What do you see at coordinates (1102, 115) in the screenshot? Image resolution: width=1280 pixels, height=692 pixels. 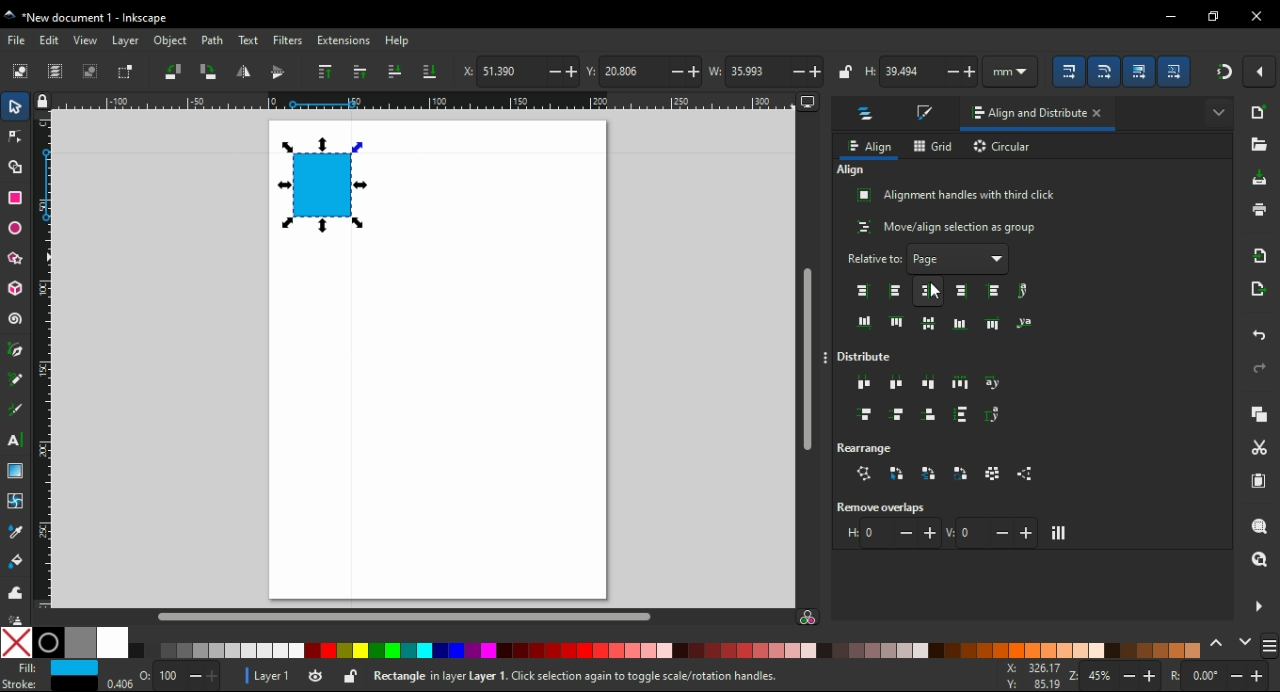 I see `close` at bounding box center [1102, 115].